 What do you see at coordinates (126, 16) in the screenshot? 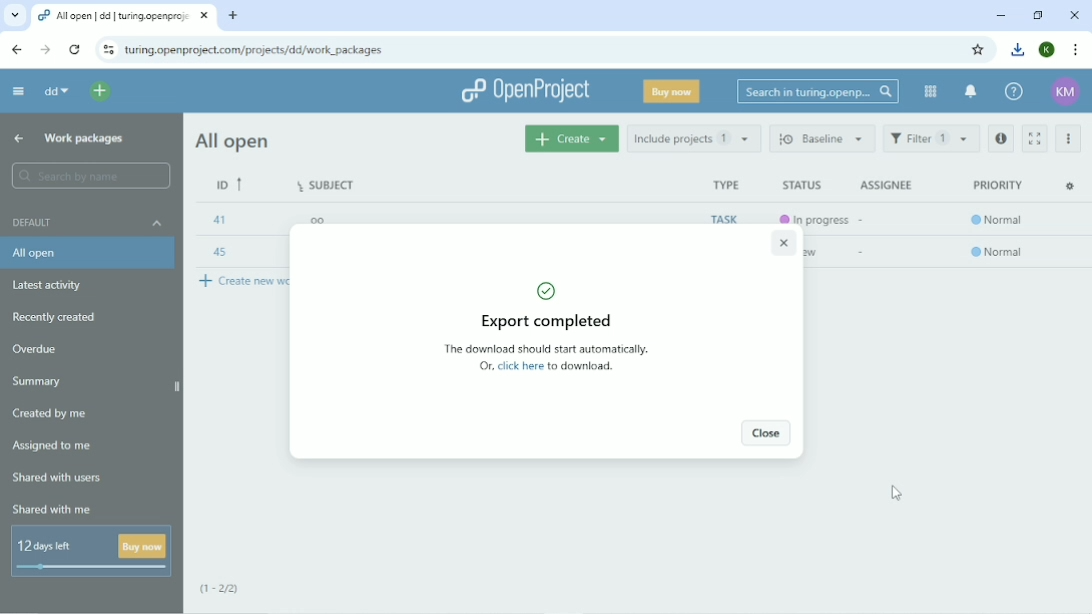
I see `Current tab` at bounding box center [126, 16].